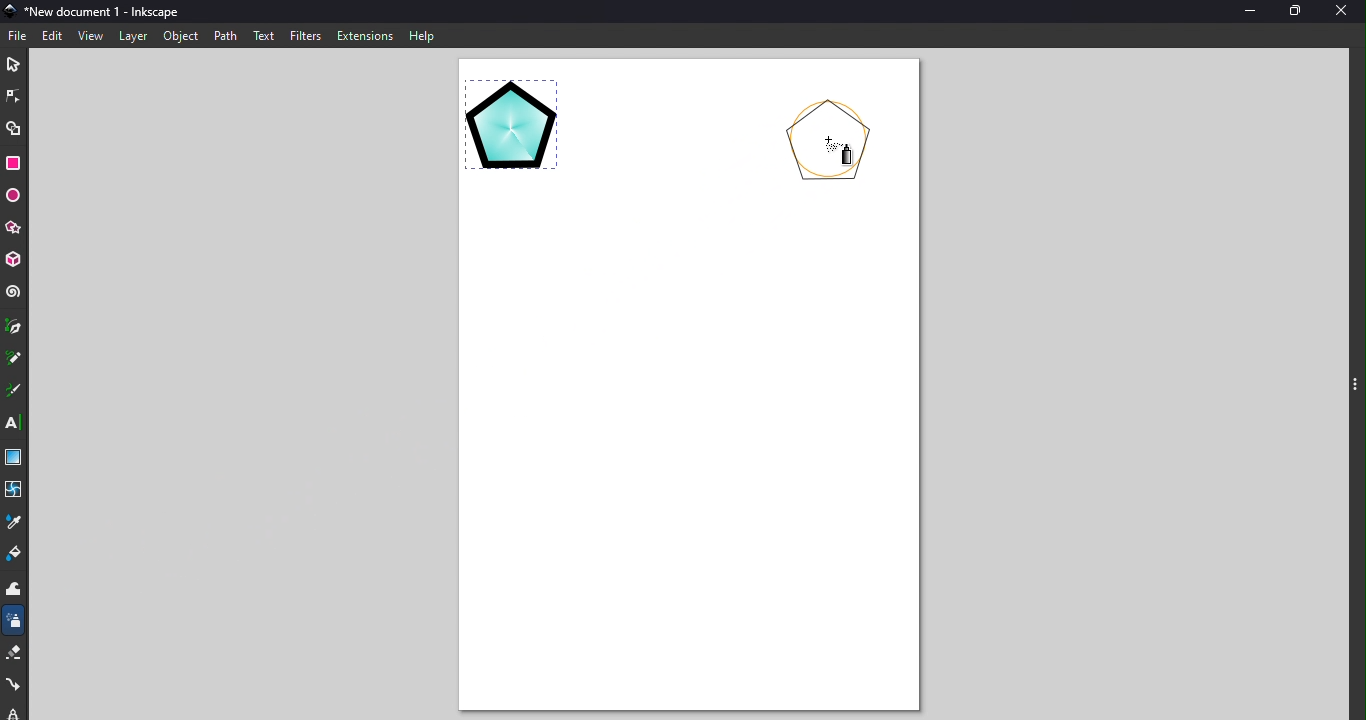  I want to click on Selector tool, so click(13, 63).